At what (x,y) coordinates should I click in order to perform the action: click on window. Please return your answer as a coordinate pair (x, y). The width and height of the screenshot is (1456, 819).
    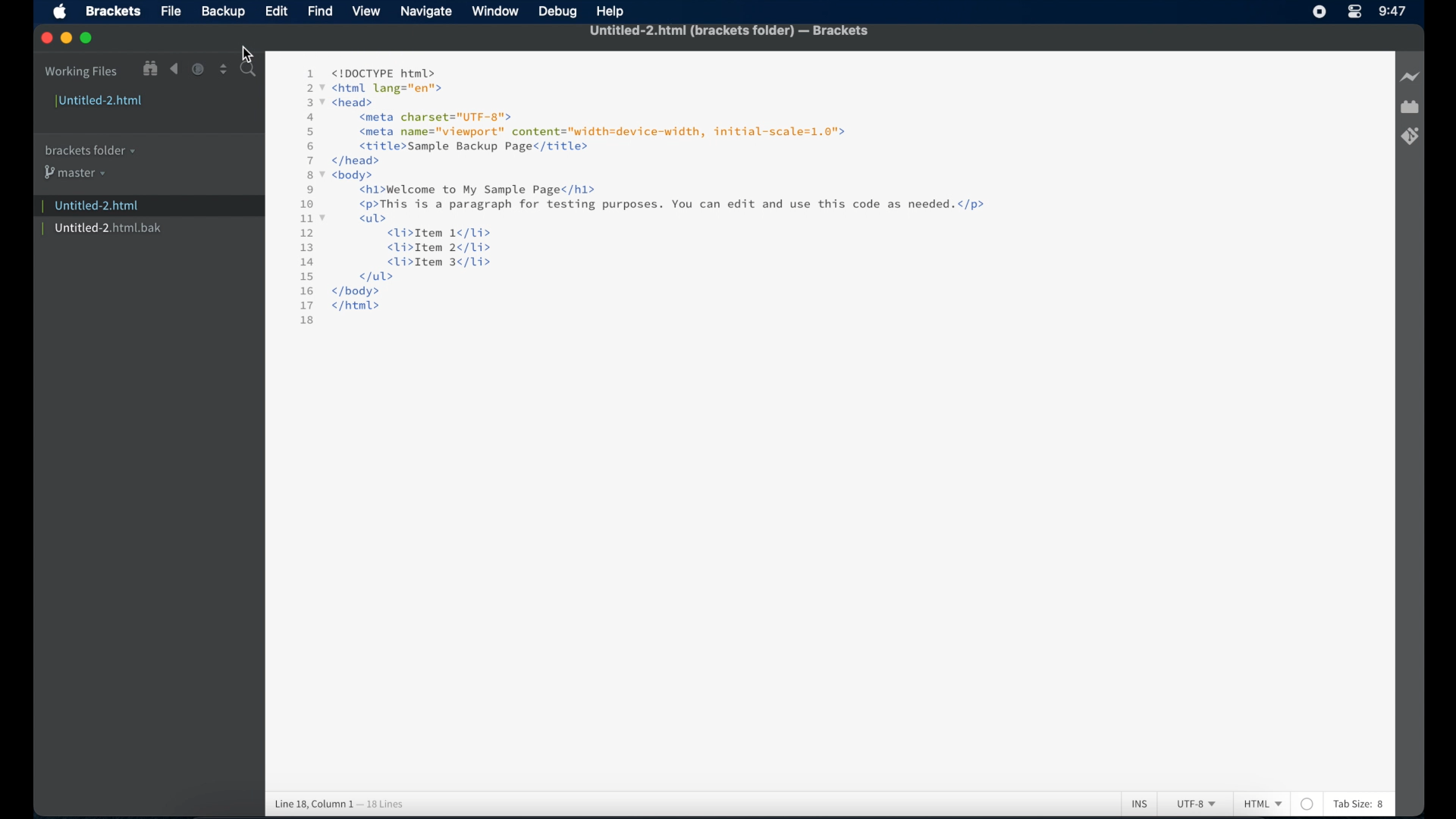
    Looking at the image, I should click on (495, 11).